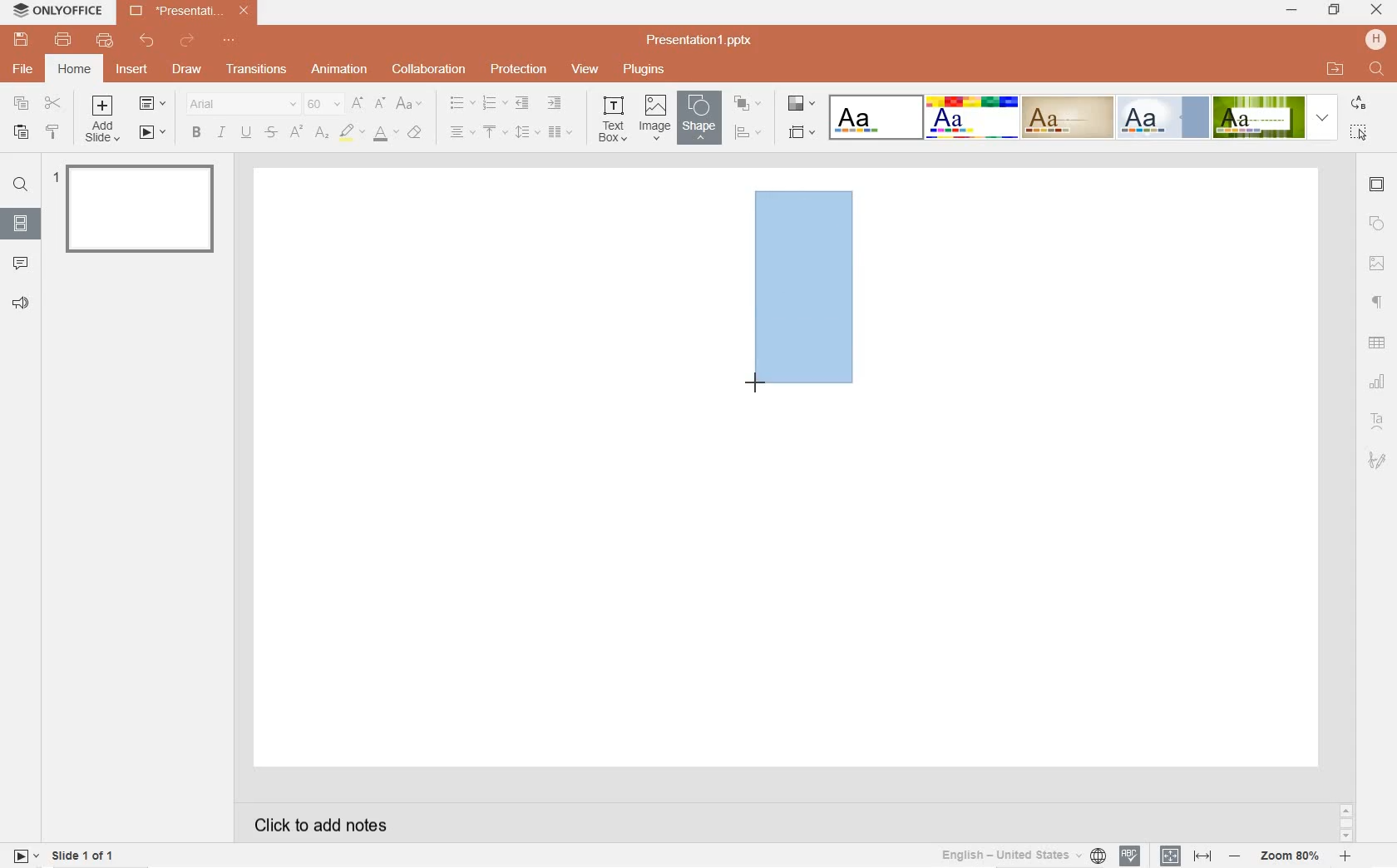 This screenshot has width=1397, height=868. I want to click on scrollbar, so click(1345, 822).